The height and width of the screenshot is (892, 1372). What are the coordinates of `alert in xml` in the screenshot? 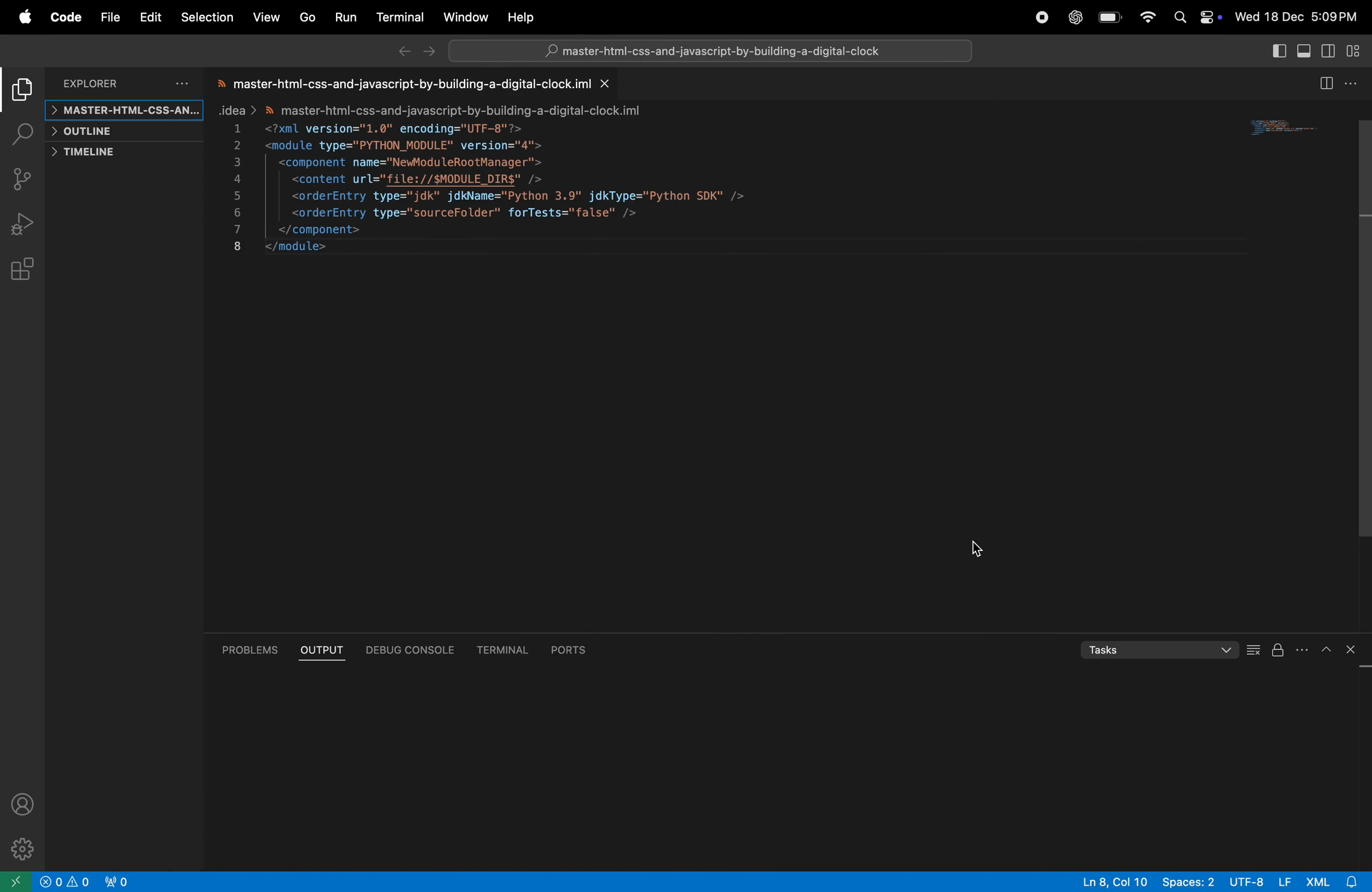 It's located at (1335, 882).